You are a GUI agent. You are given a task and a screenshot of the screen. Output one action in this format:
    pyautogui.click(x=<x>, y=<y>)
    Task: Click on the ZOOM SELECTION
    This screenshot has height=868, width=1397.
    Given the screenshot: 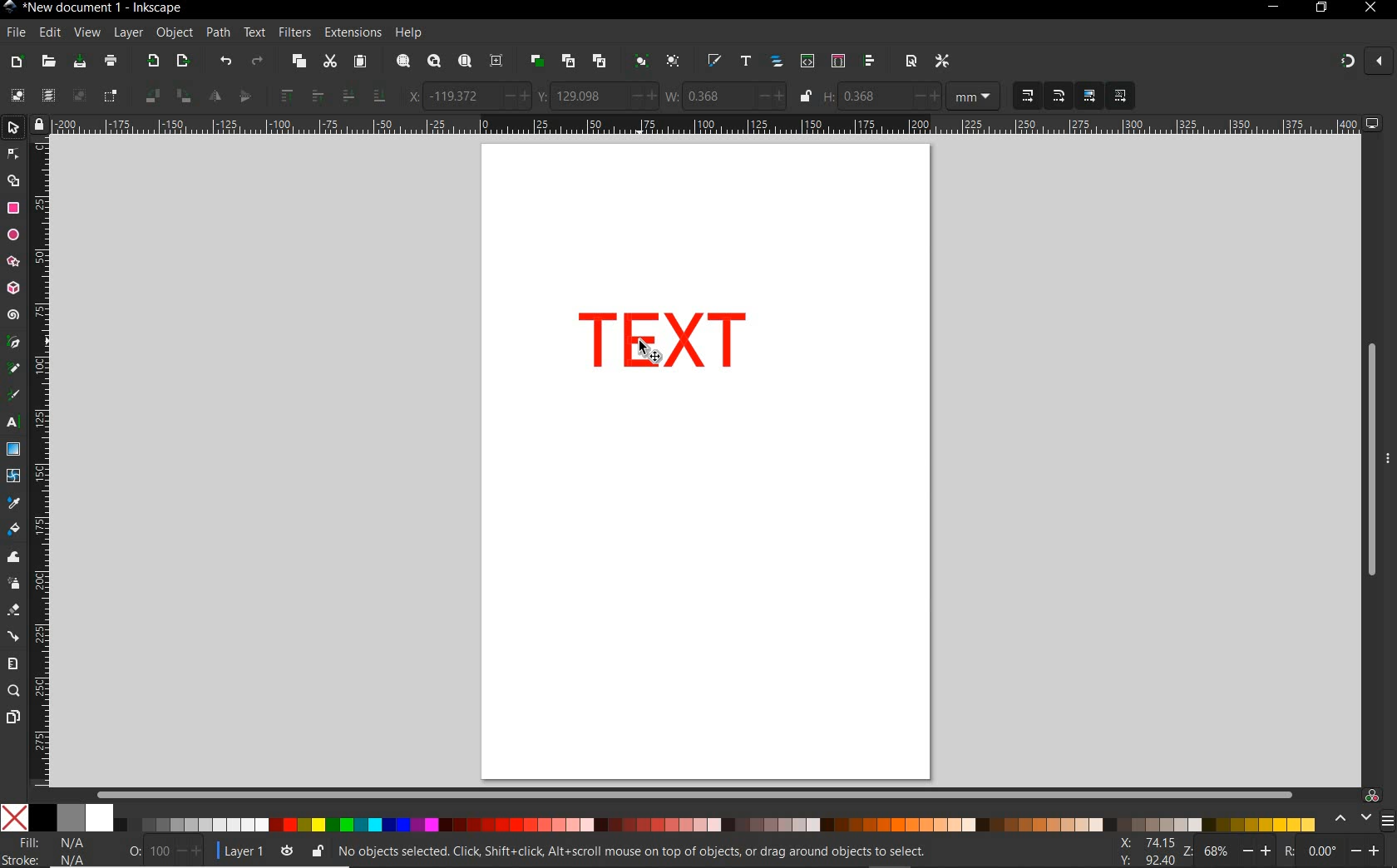 What is the action you would take?
    pyautogui.click(x=402, y=62)
    